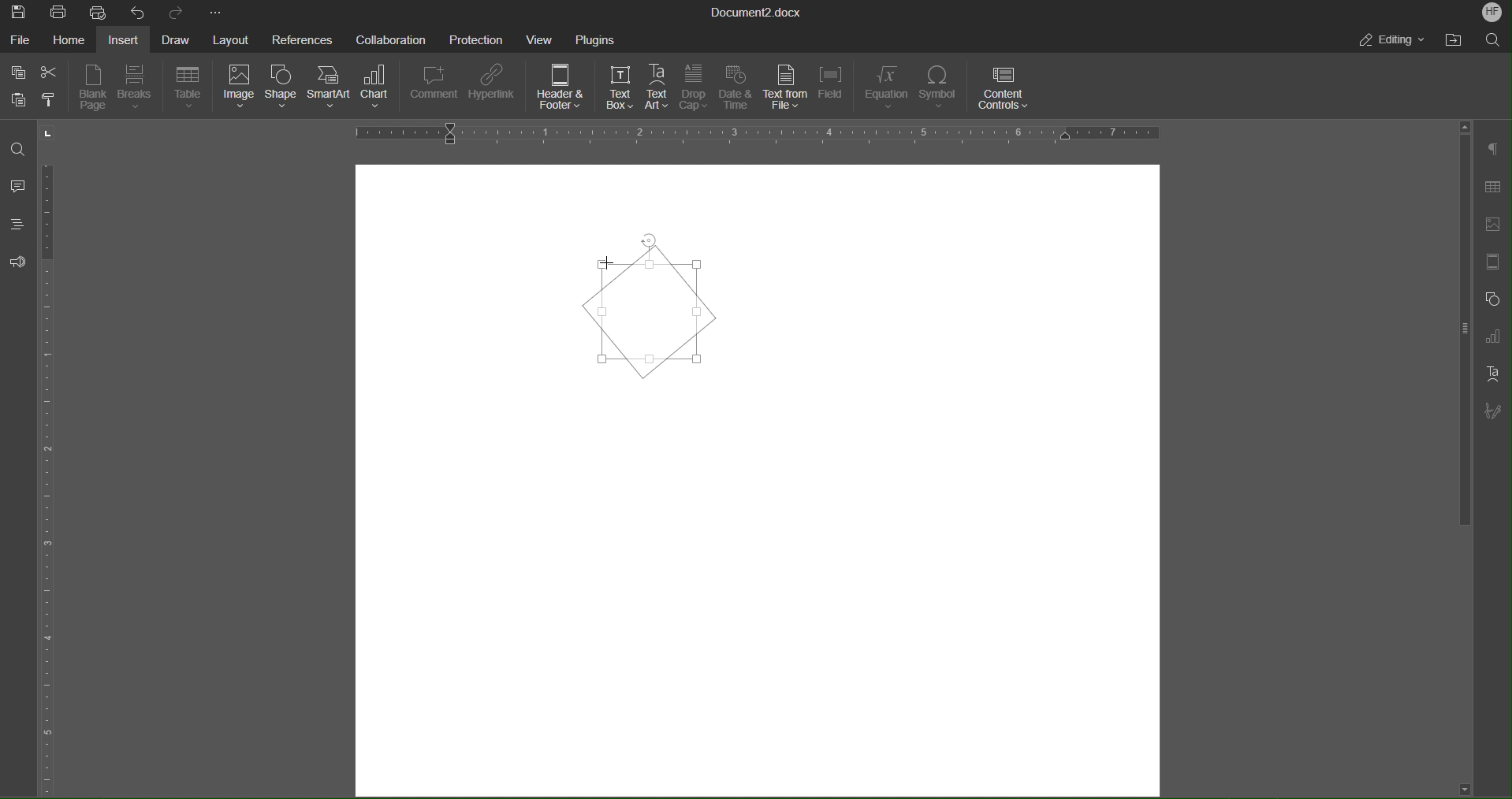 This screenshot has height=799, width=1512. What do you see at coordinates (300, 39) in the screenshot?
I see `References` at bounding box center [300, 39].